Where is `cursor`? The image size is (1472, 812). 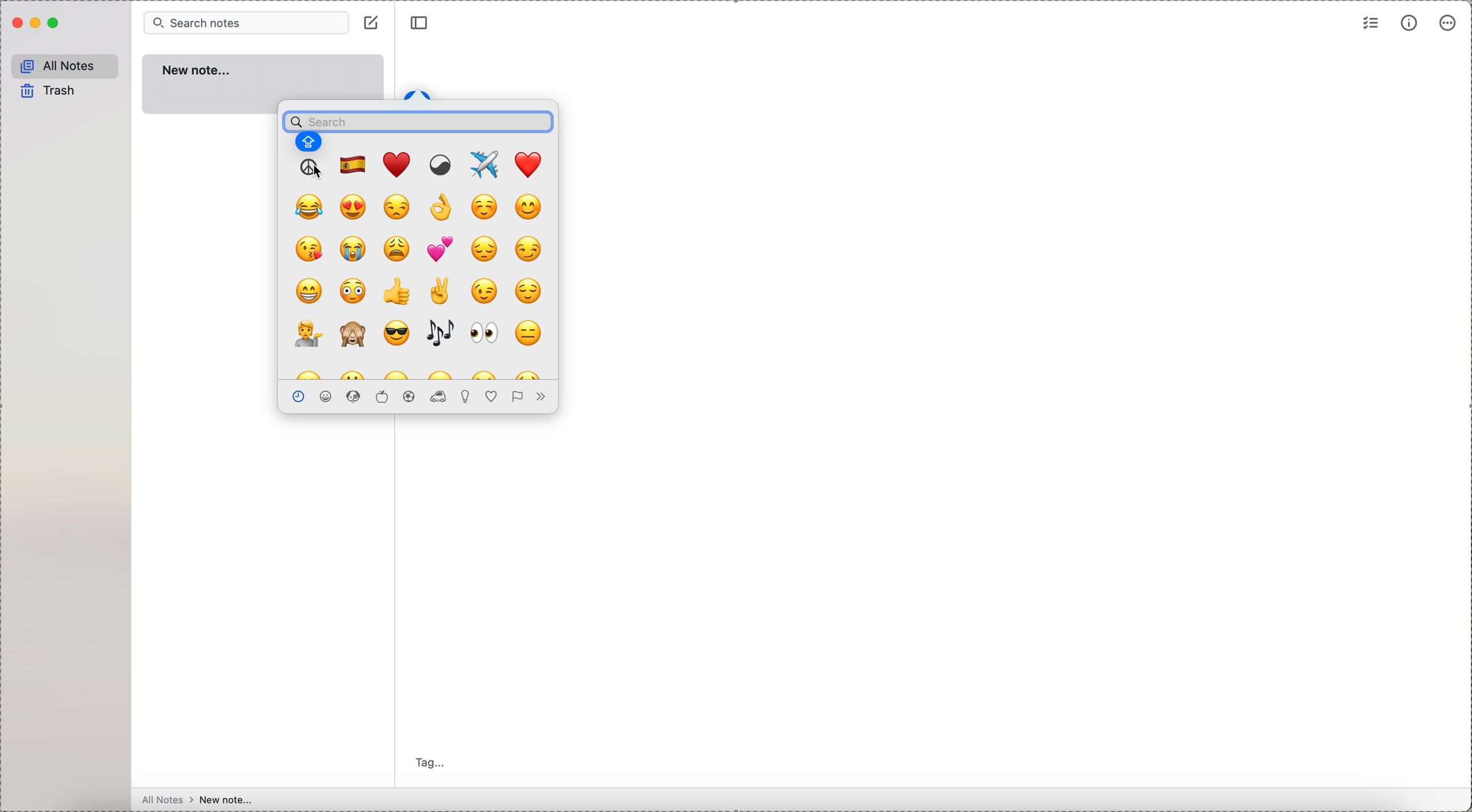
cursor is located at coordinates (317, 173).